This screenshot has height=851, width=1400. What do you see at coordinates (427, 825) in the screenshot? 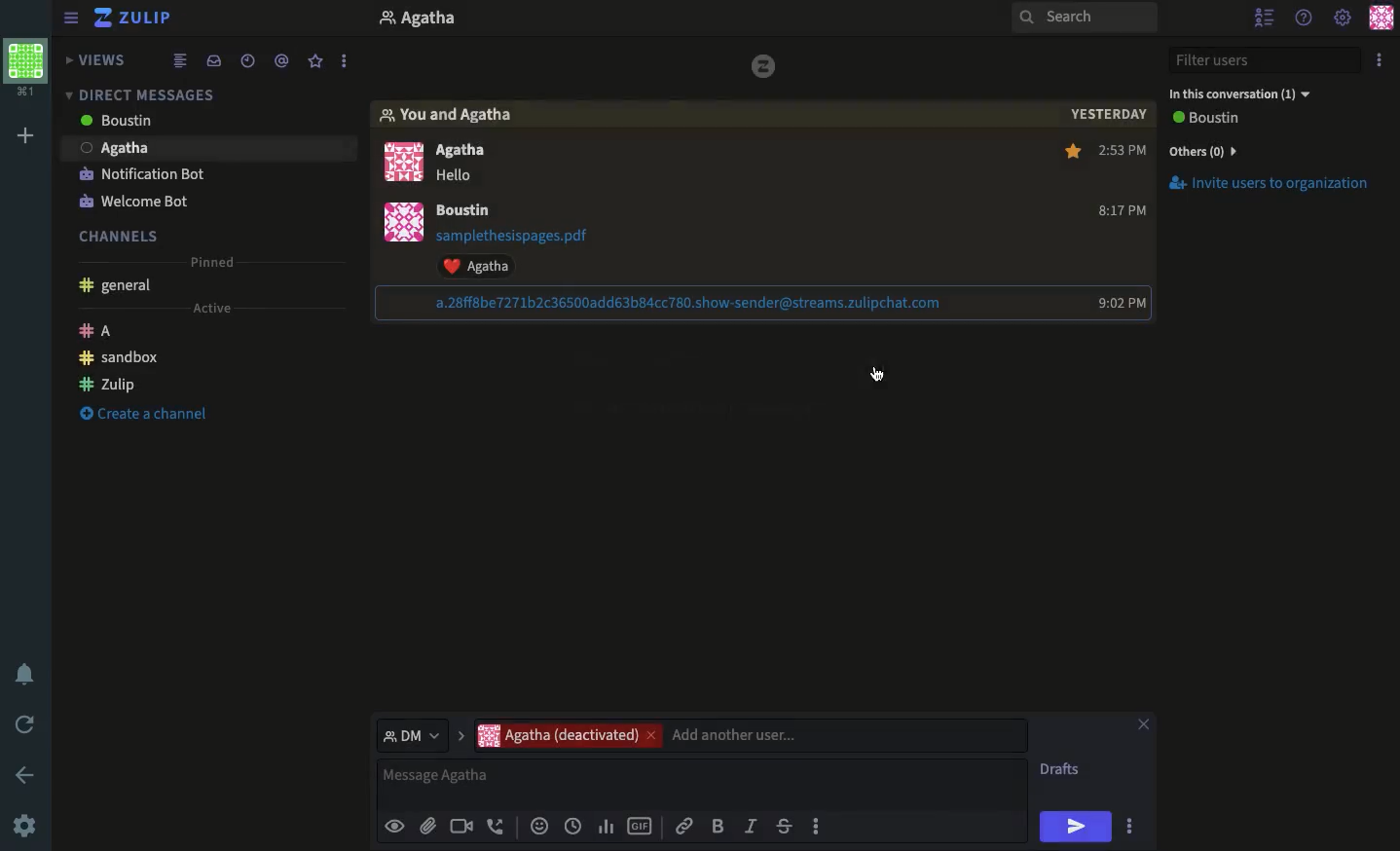
I see `File attachment` at bounding box center [427, 825].